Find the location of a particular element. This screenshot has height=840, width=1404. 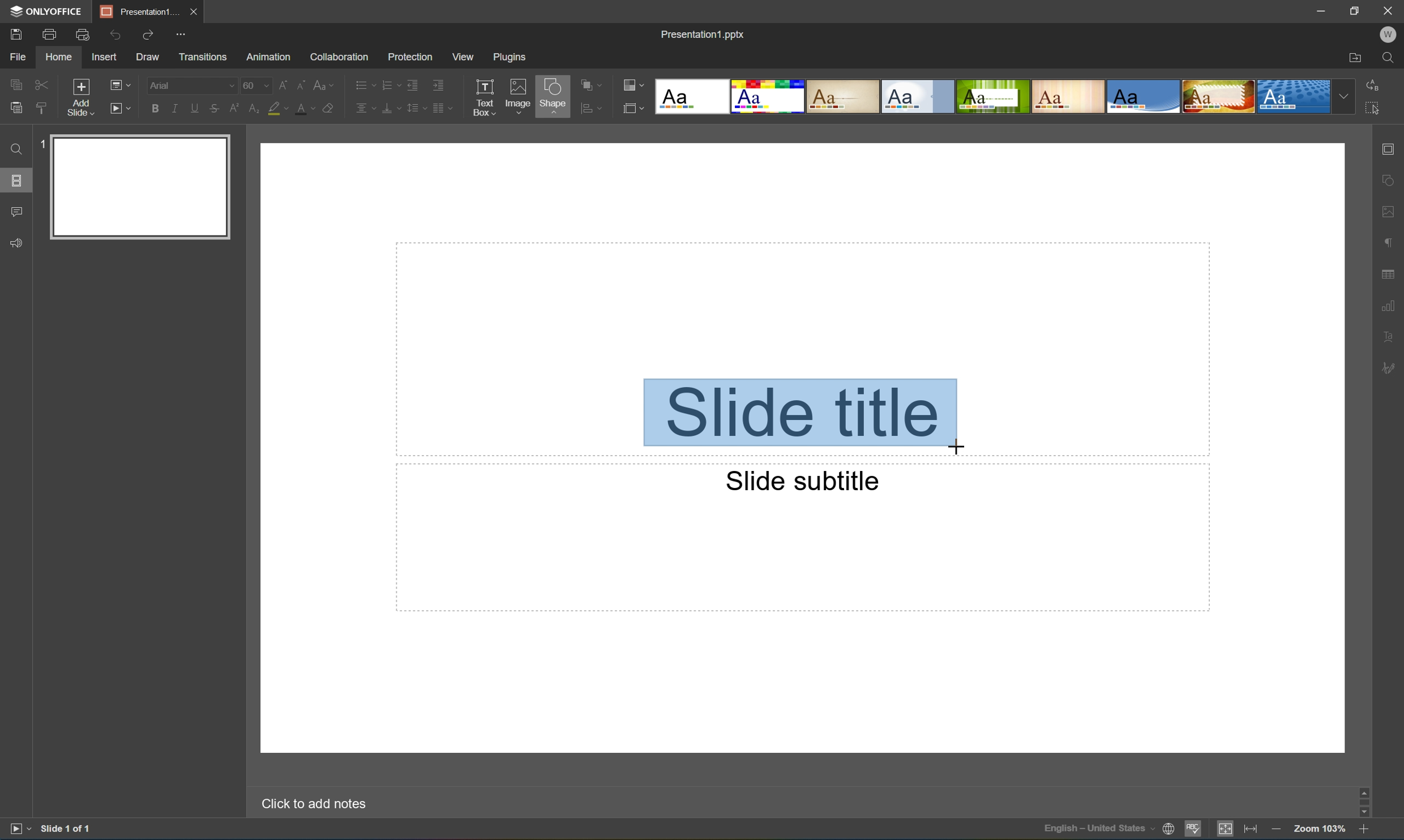

shape settings is located at coordinates (1388, 179).